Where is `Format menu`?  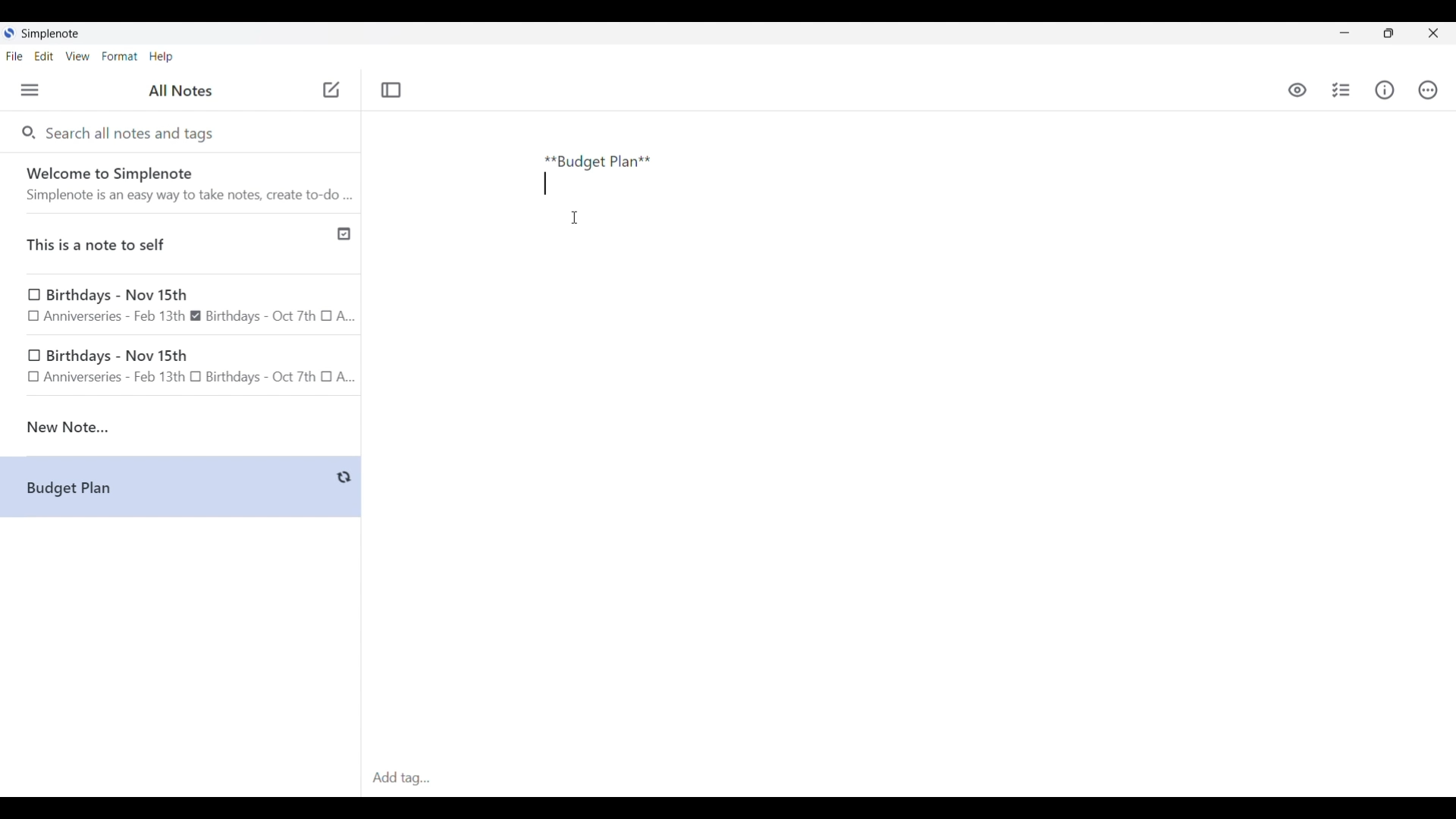
Format menu is located at coordinates (120, 56).